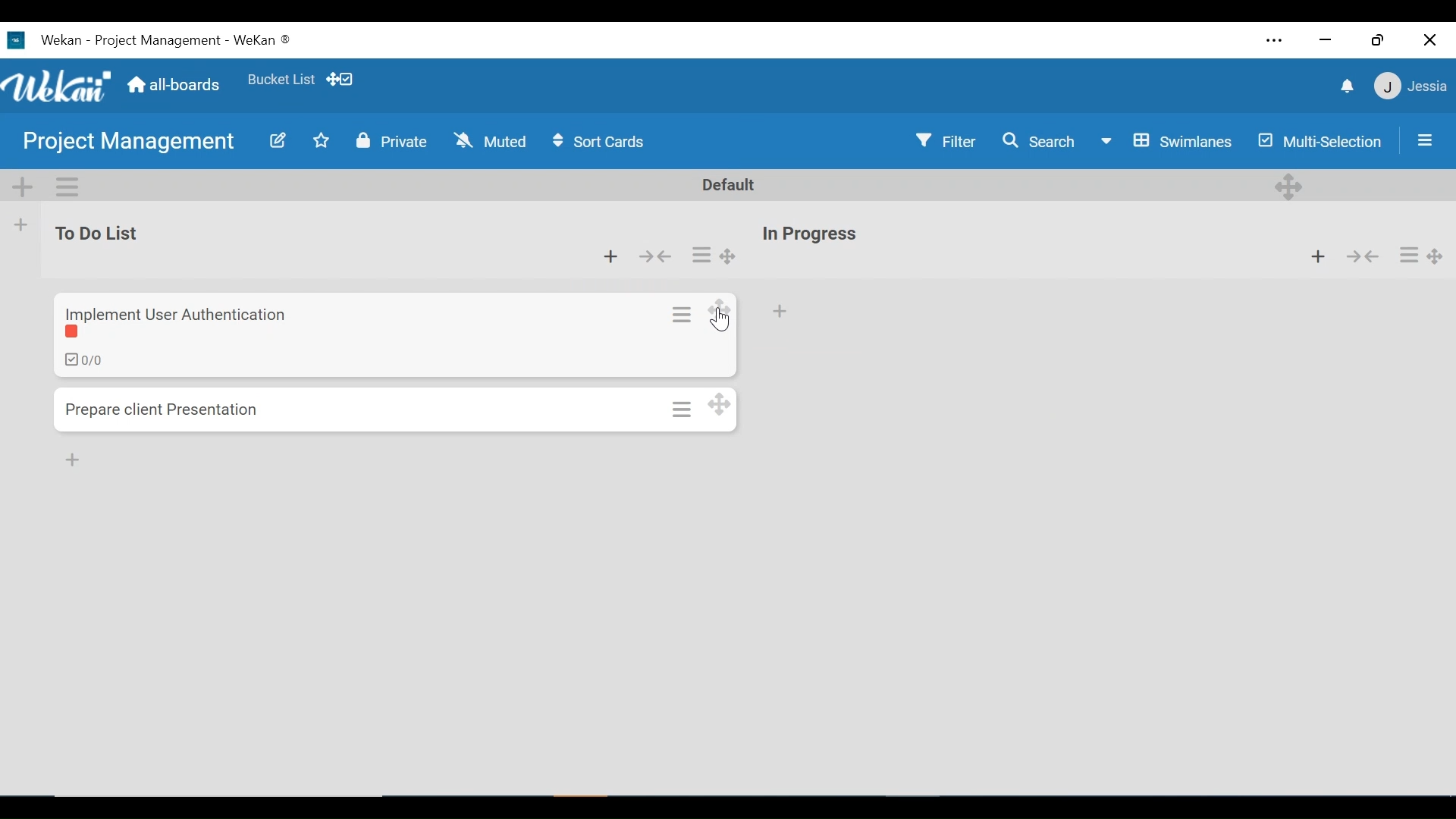 This screenshot has height=819, width=1456. What do you see at coordinates (947, 140) in the screenshot?
I see `Filter` at bounding box center [947, 140].